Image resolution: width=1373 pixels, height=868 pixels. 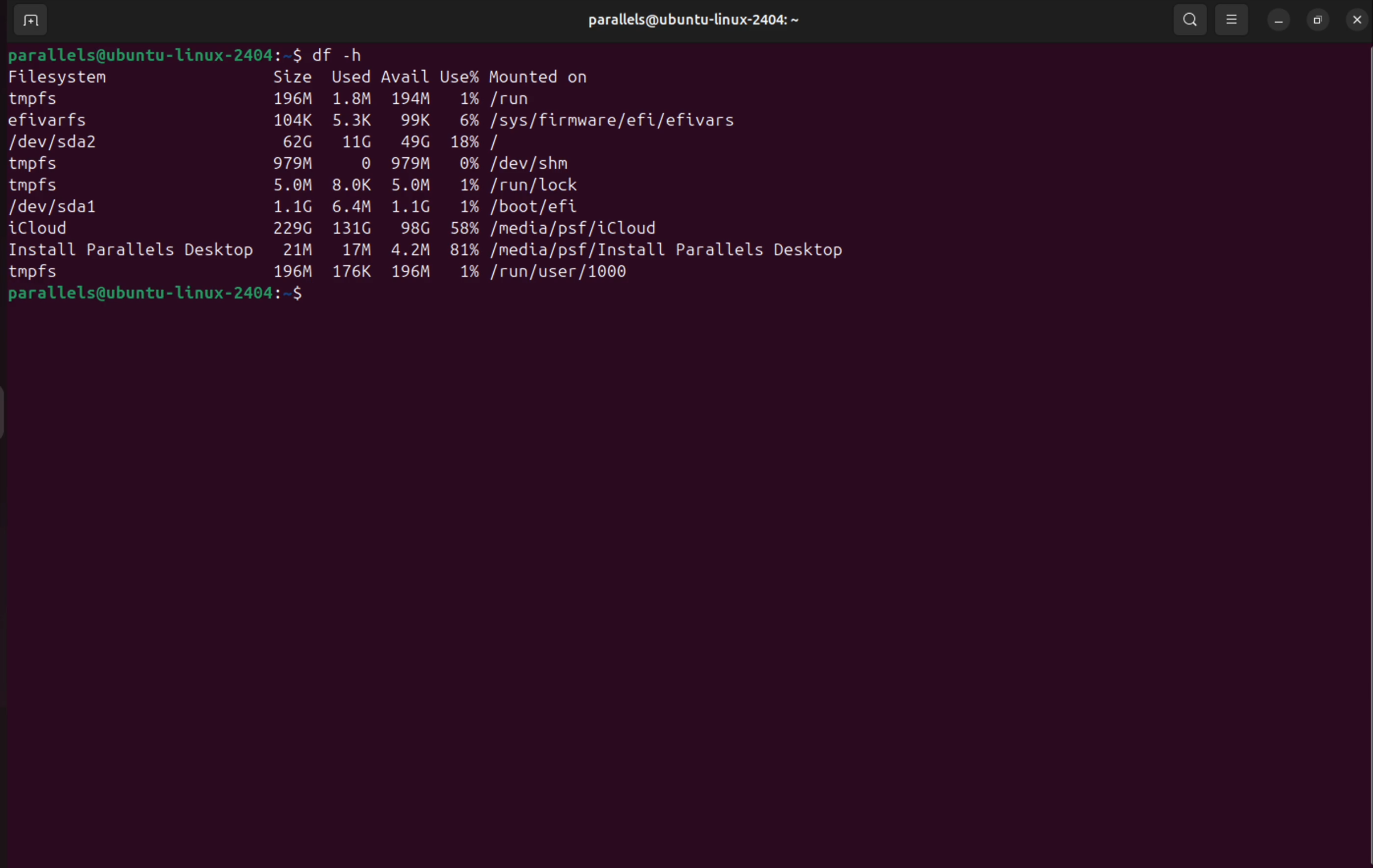 What do you see at coordinates (416, 273) in the screenshot?
I see `196 n` at bounding box center [416, 273].